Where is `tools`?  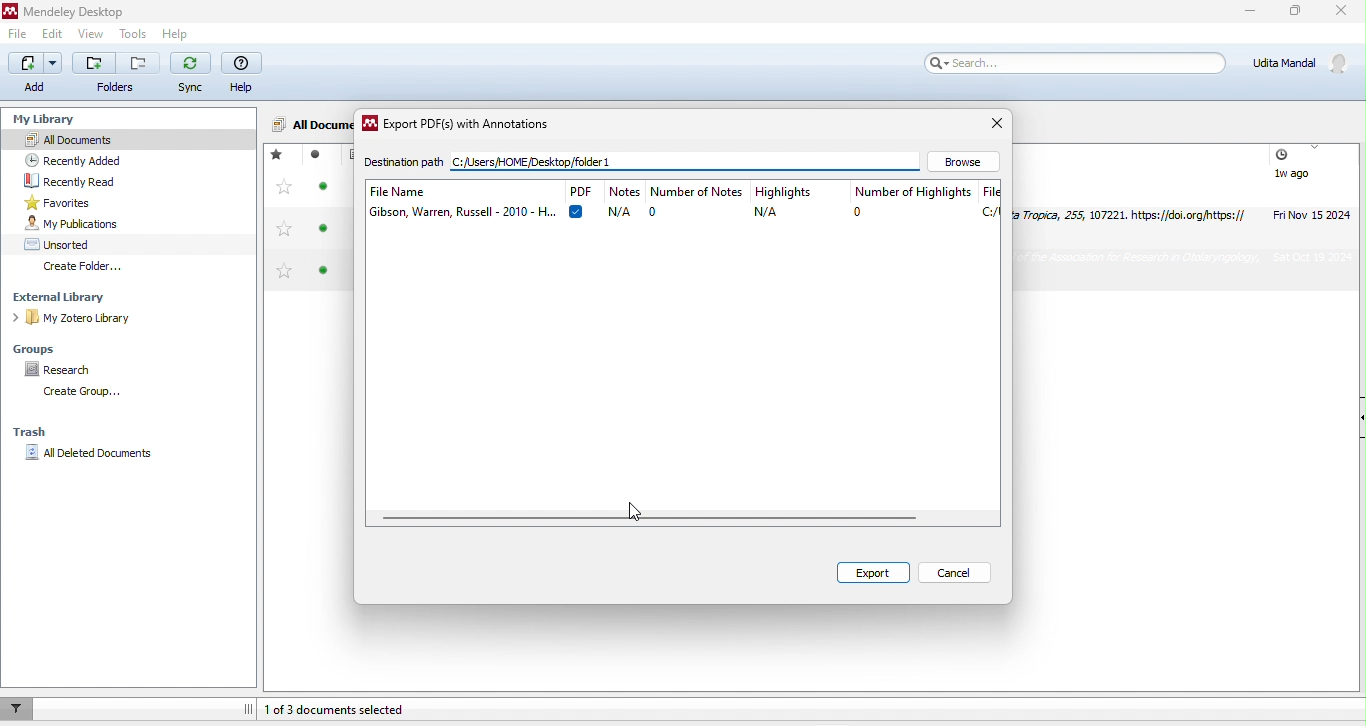
tools is located at coordinates (134, 32).